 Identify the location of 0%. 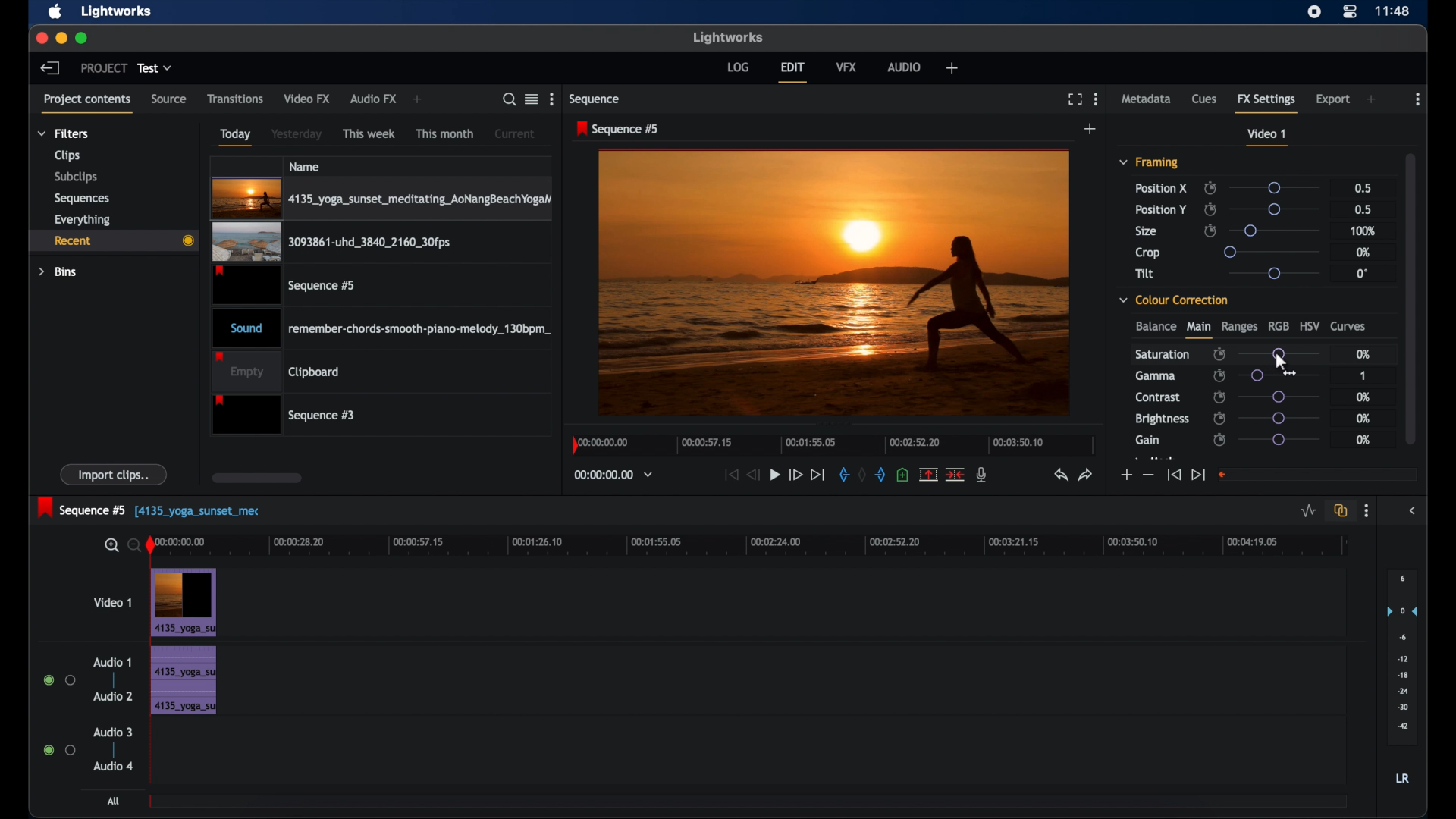
(1361, 355).